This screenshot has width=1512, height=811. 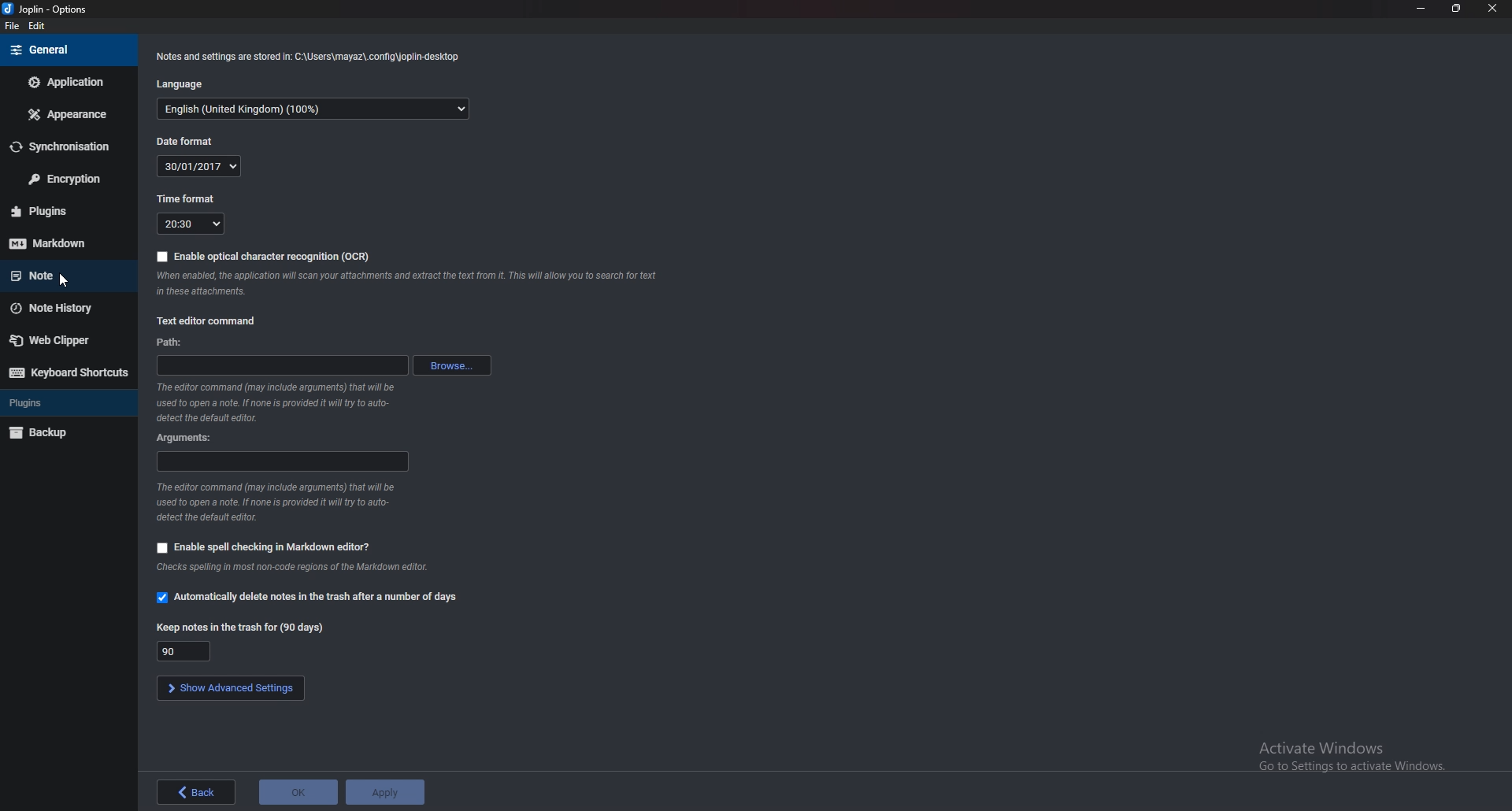 What do you see at coordinates (72, 114) in the screenshot?
I see `Appearance` at bounding box center [72, 114].